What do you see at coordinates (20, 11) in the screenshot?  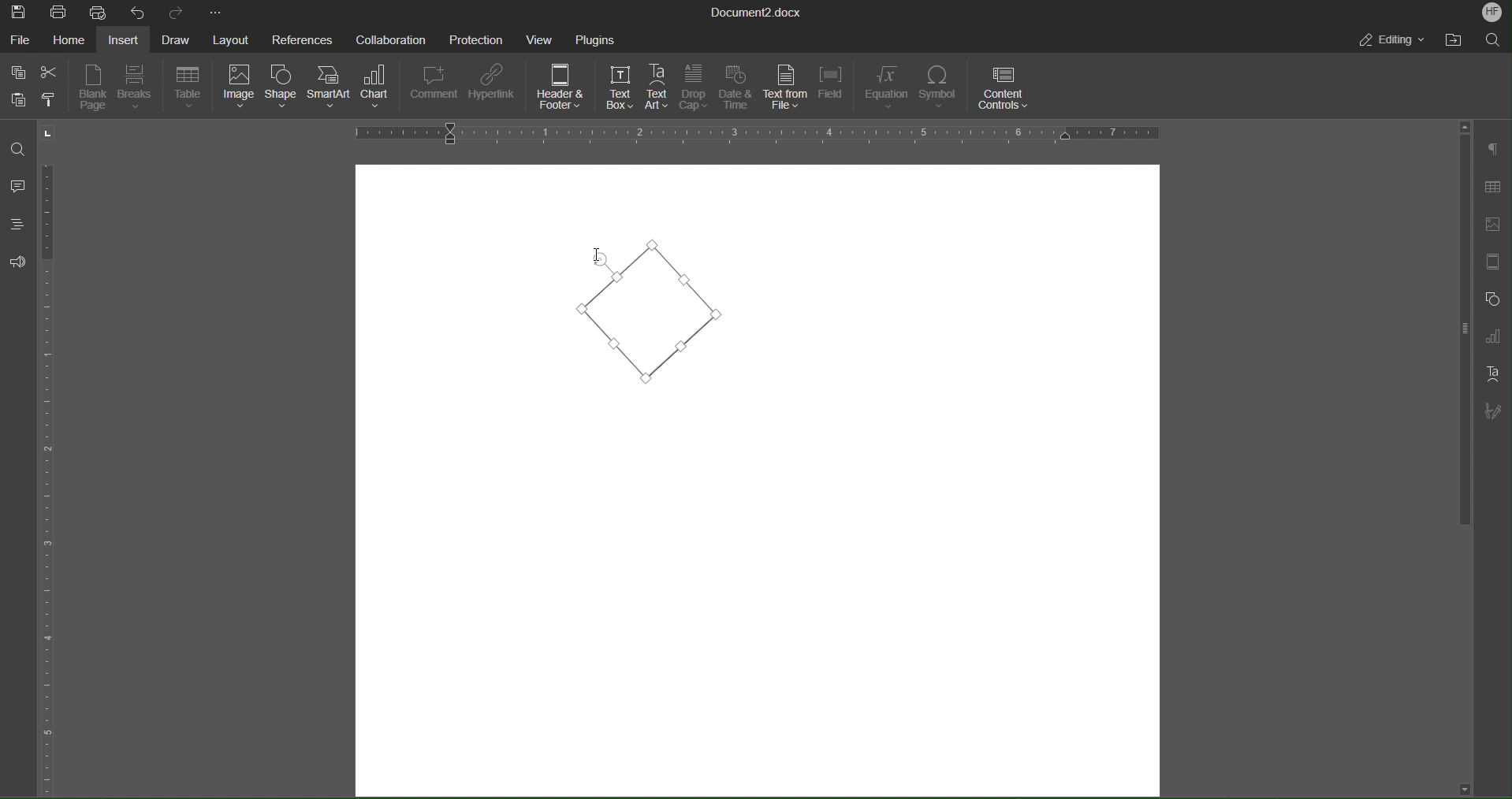 I see `Save` at bounding box center [20, 11].